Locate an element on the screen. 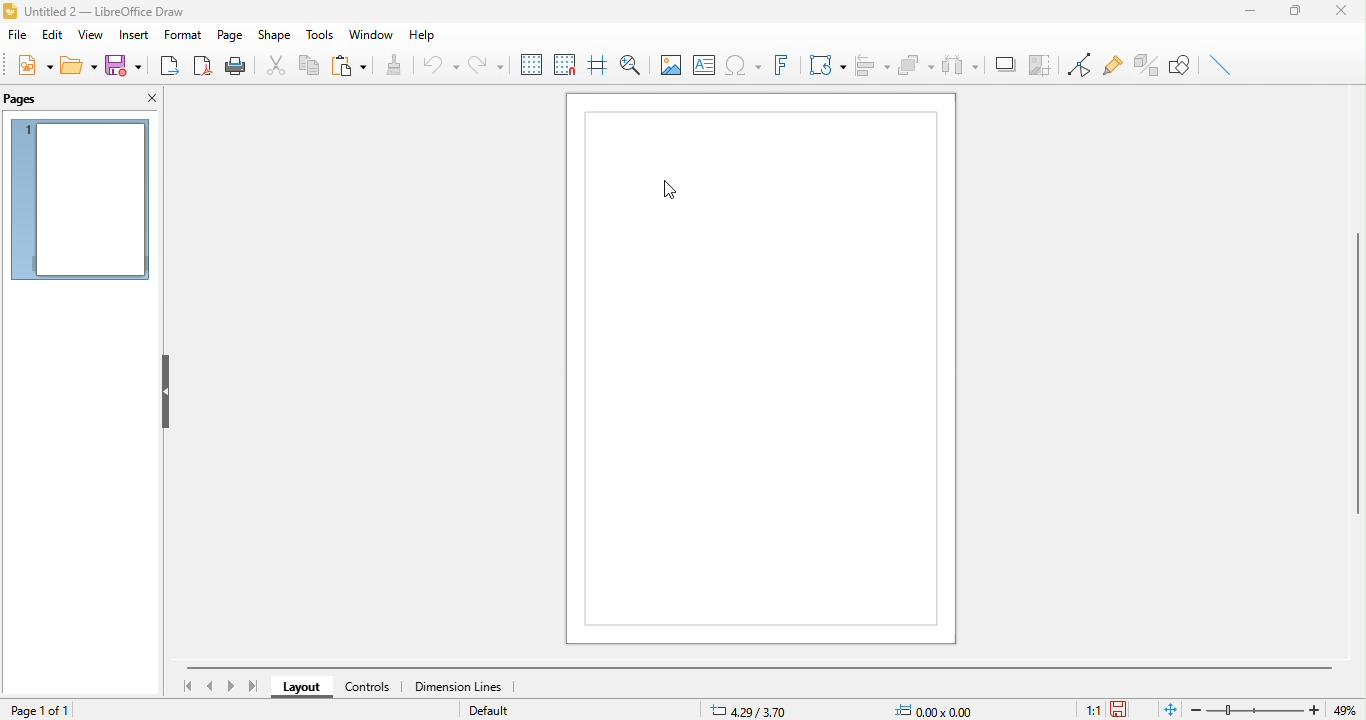 The image size is (1366, 720). page is located at coordinates (227, 37).